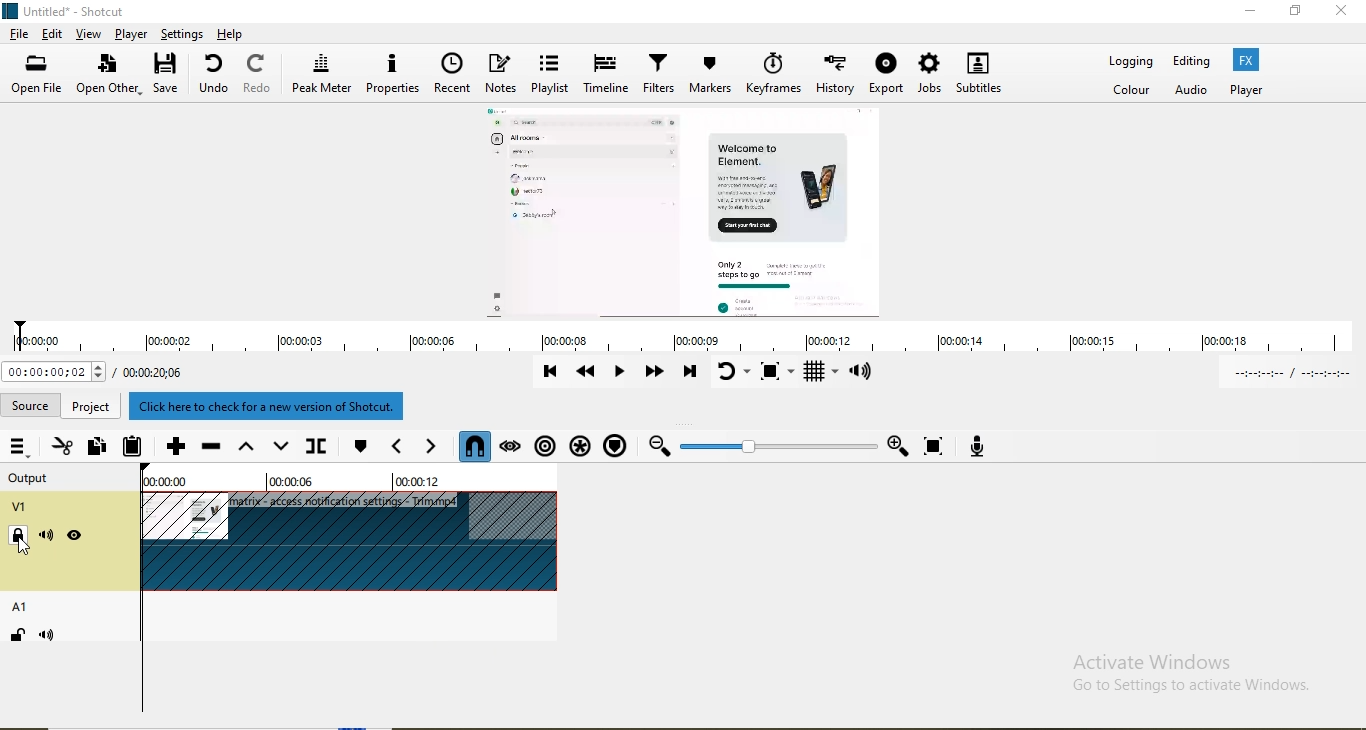 This screenshot has width=1366, height=730. I want to click on Save, so click(170, 73).